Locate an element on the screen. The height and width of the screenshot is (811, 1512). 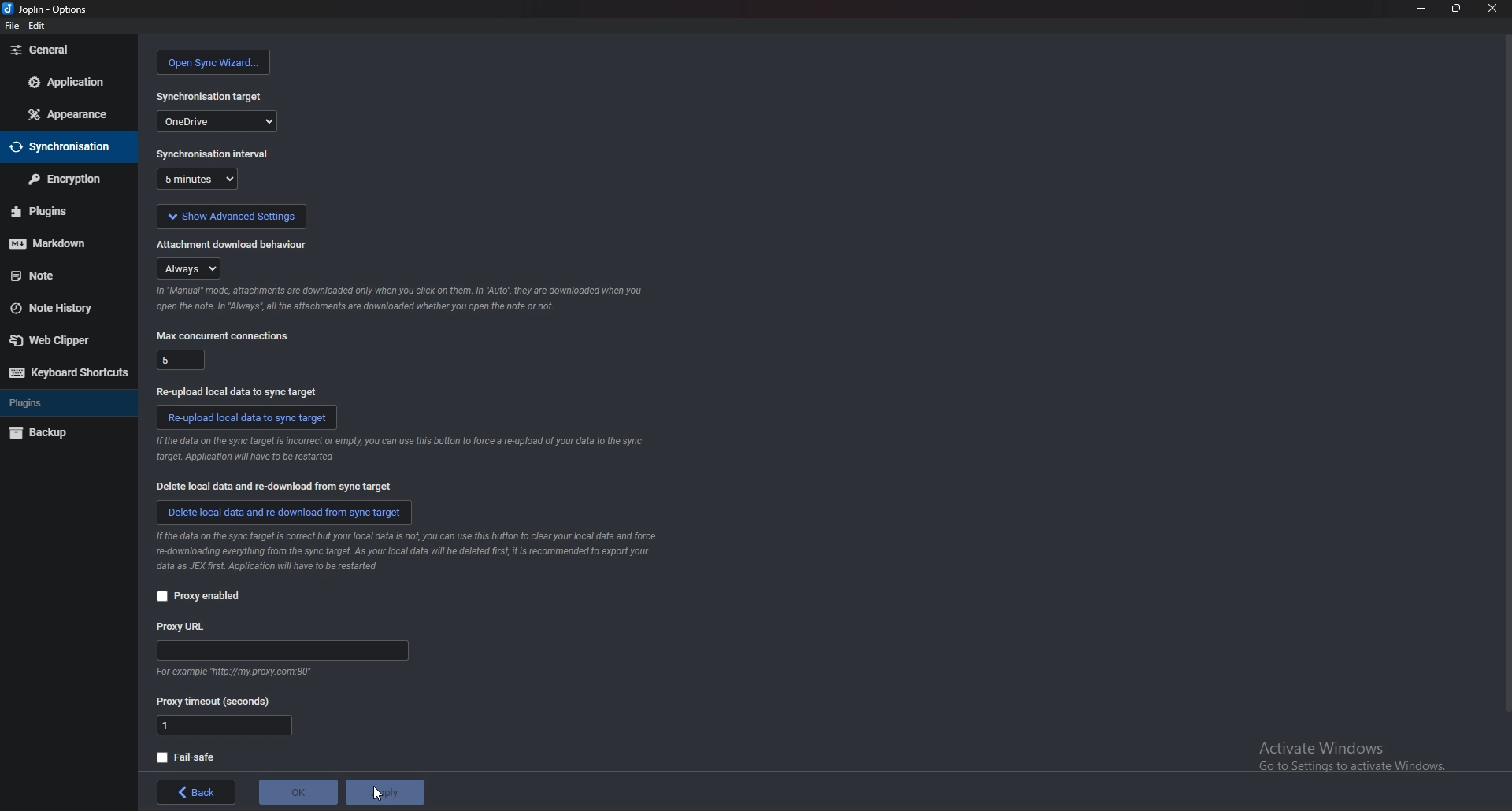
keyboard is located at coordinates (68, 371).